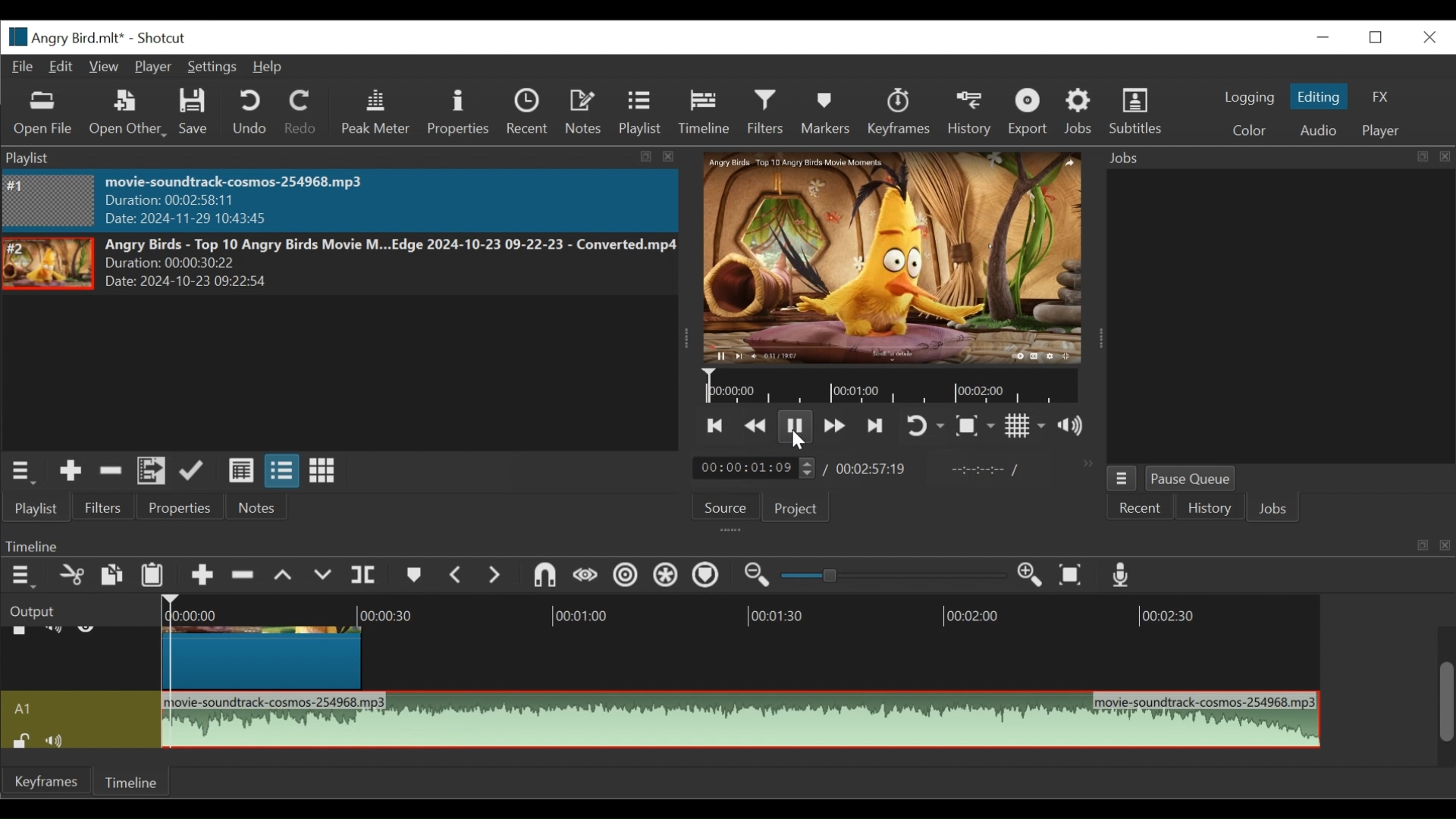 The width and height of the screenshot is (1456, 819). Describe the element at coordinates (761, 576) in the screenshot. I see `Zoom timeline out` at that location.